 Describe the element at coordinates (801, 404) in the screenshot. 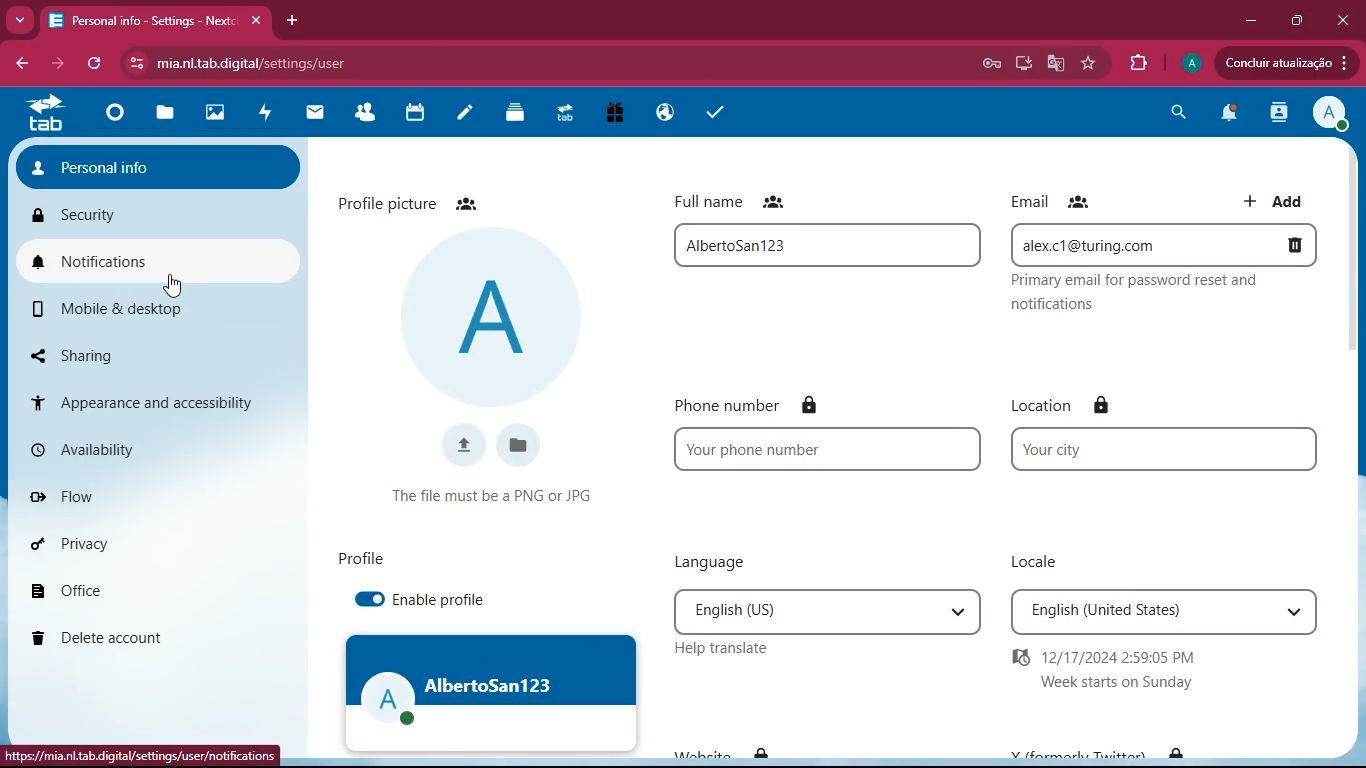

I see `phone number` at that location.